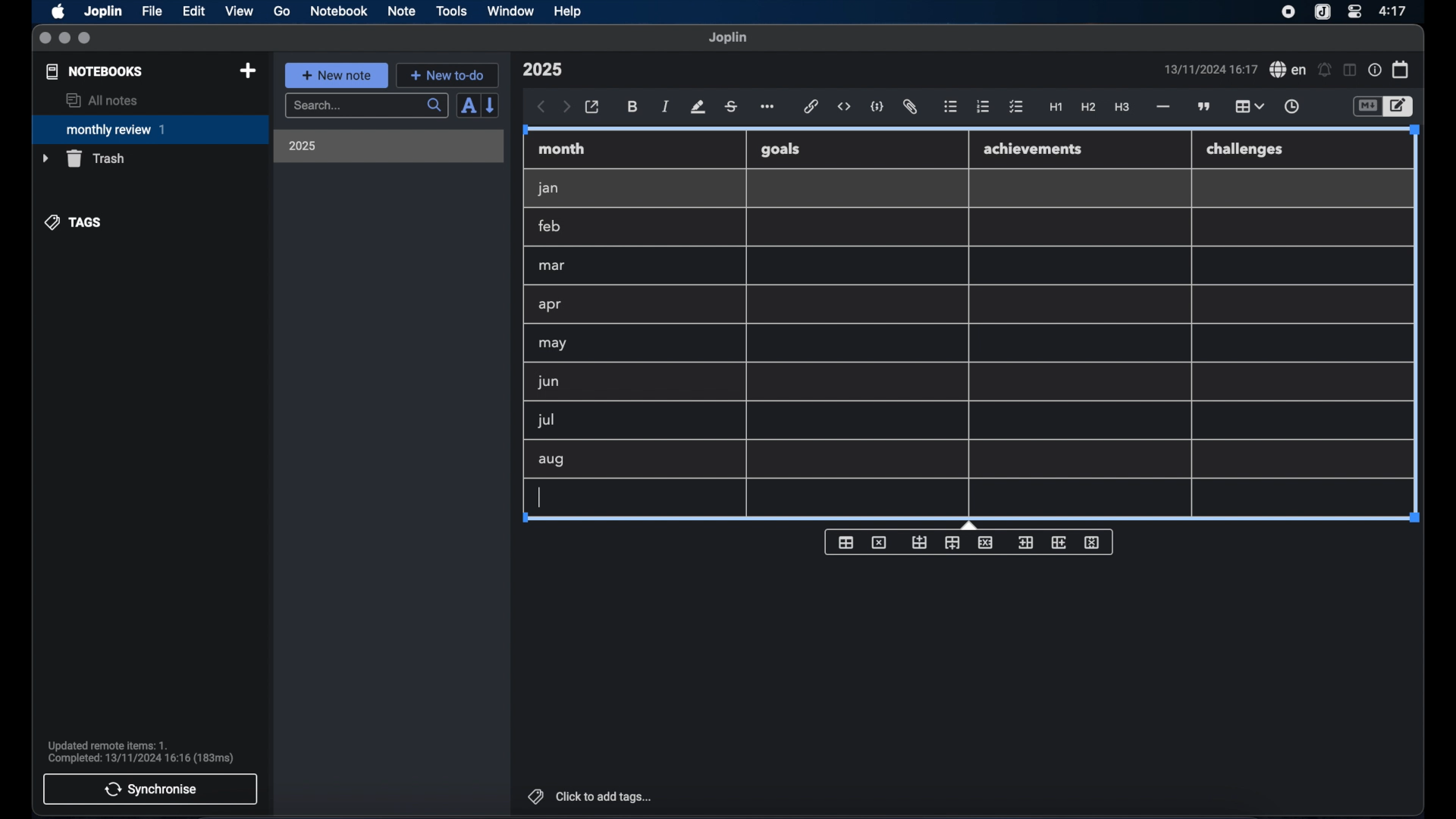 This screenshot has width=1456, height=819. Describe the element at coordinates (846, 542) in the screenshot. I see `insert table` at that location.